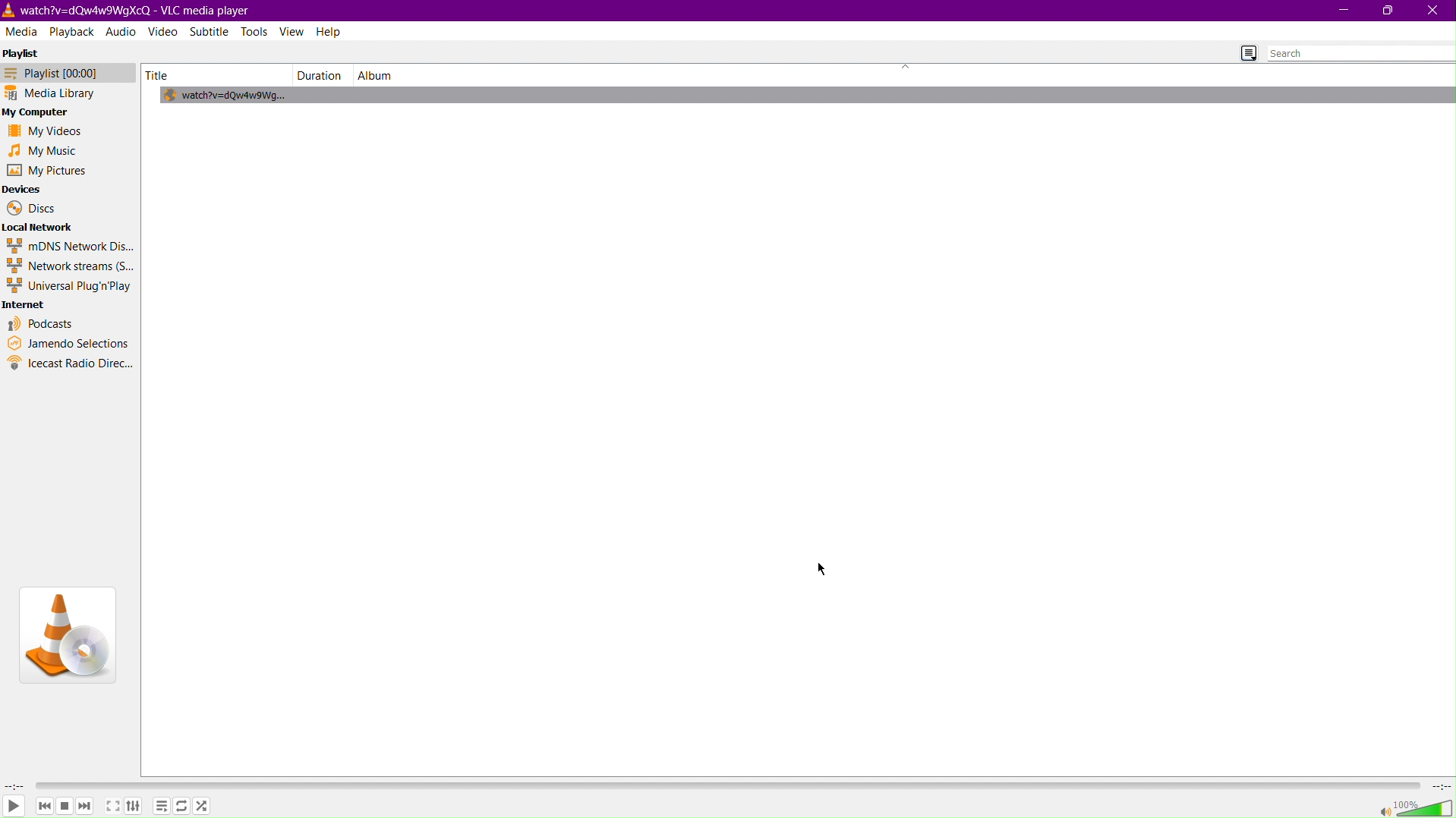 Image resolution: width=1456 pixels, height=818 pixels. What do you see at coordinates (328, 32) in the screenshot?
I see `Help` at bounding box center [328, 32].